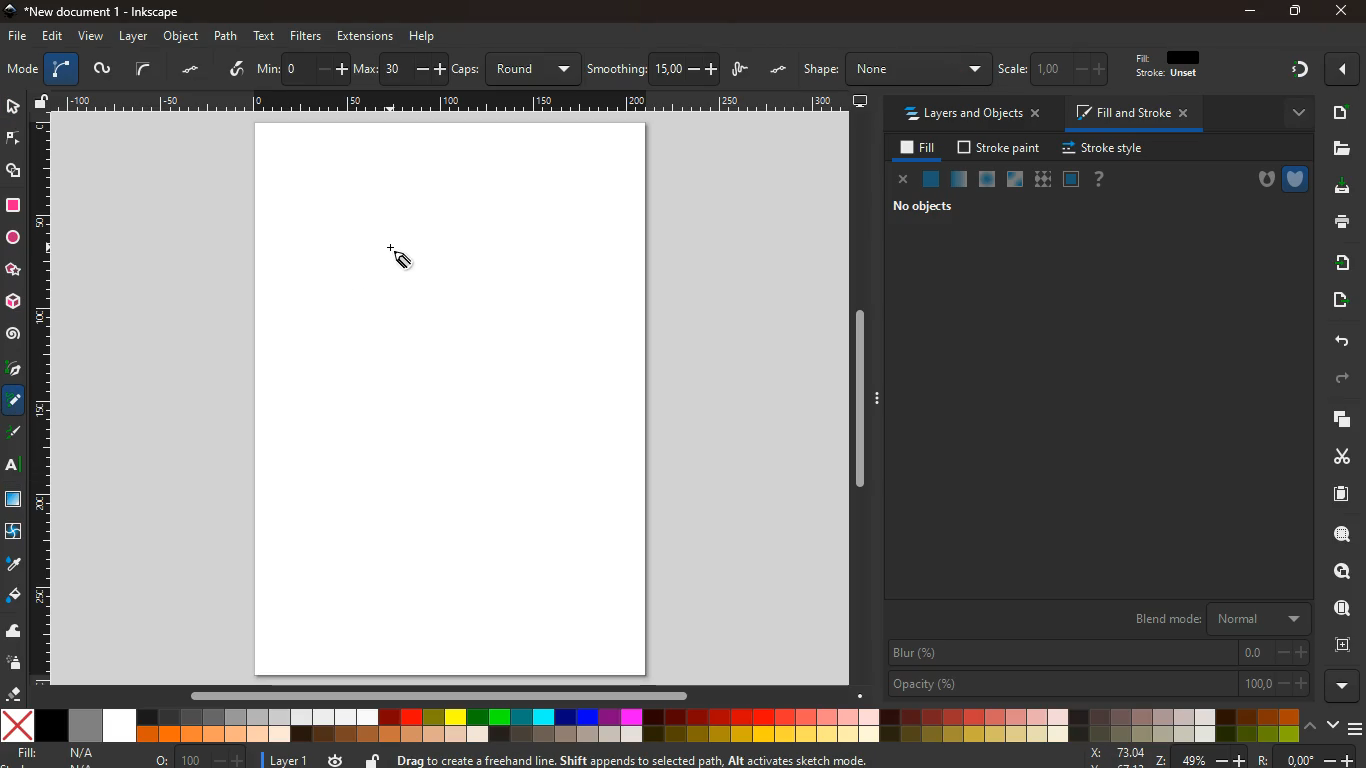 The height and width of the screenshot is (768, 1366). I want to click on frame, so click(1347, 645).